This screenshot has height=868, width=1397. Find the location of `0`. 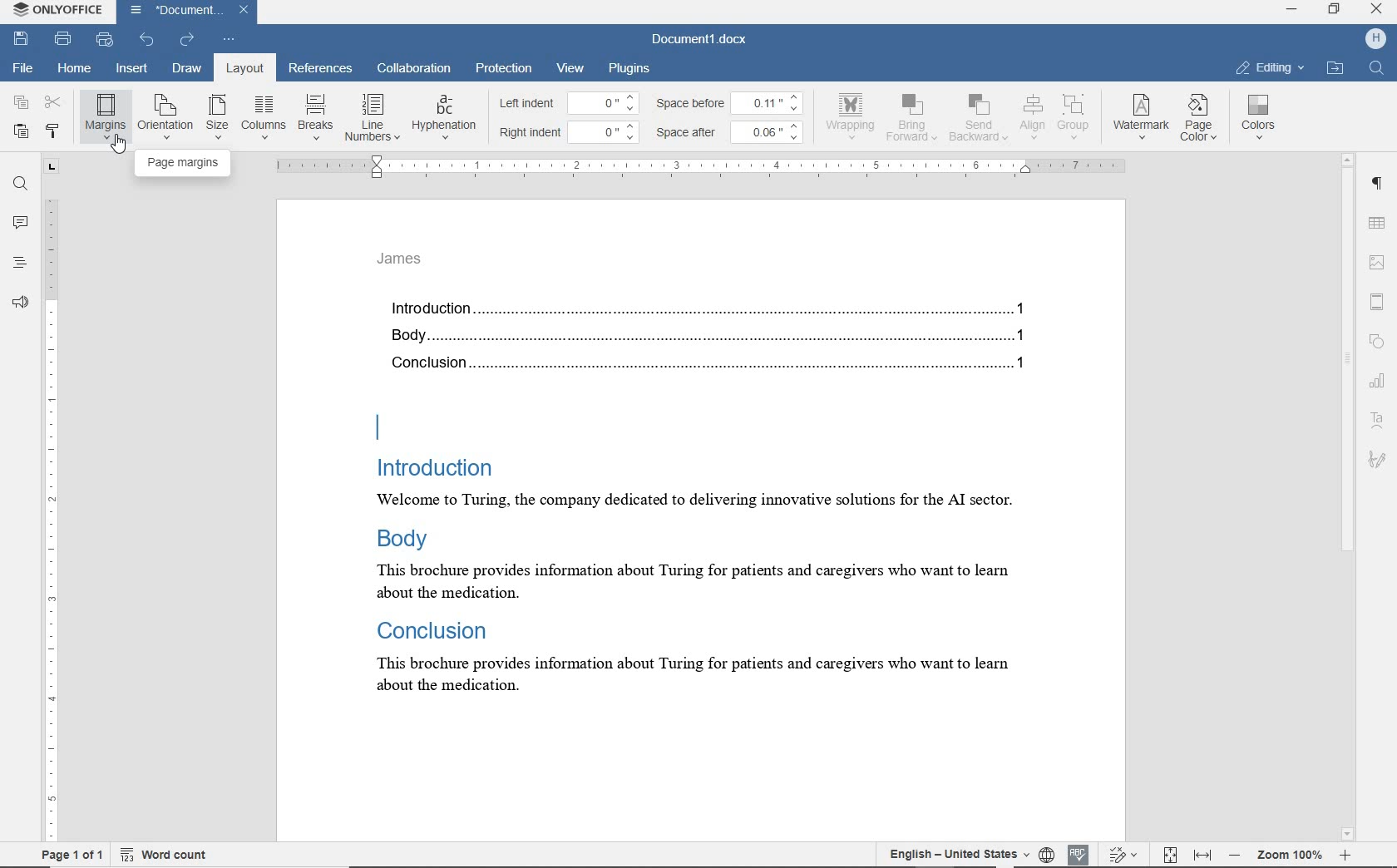

0 is located at coordinates (605, 102).